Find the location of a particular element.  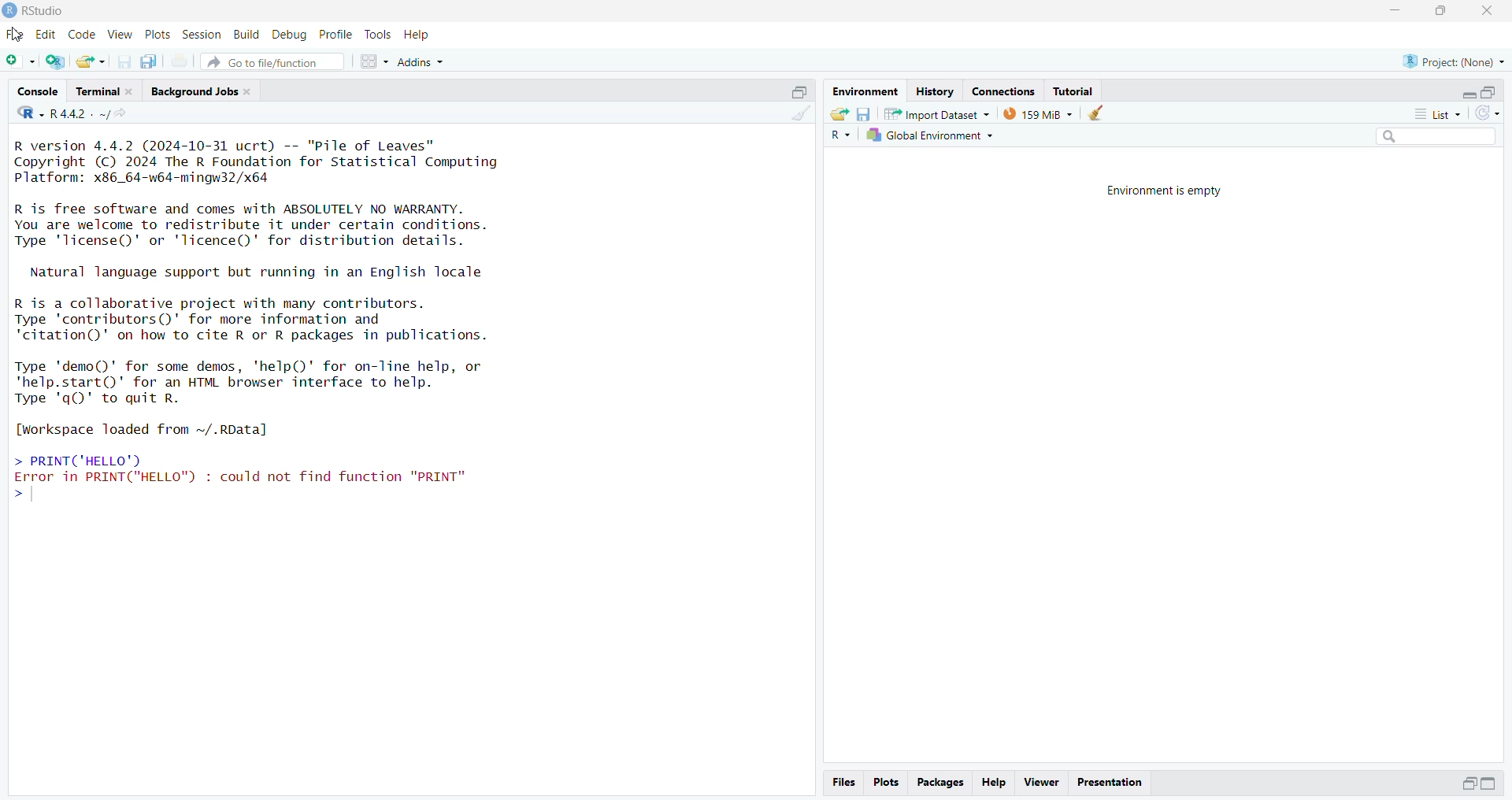

help is located at coordinates (995, 781).